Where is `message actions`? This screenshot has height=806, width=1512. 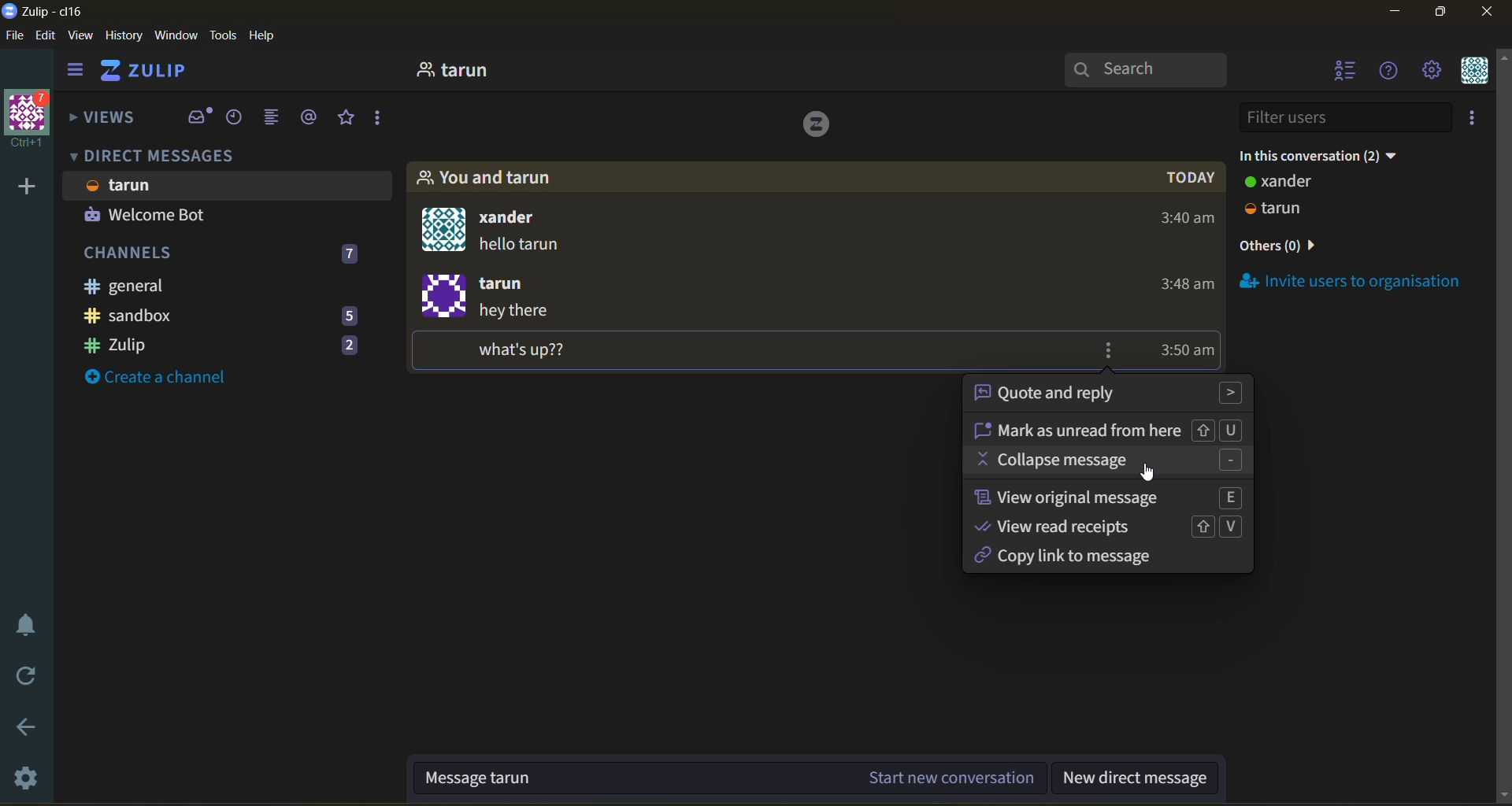
message actions is located at coordinates (1113, 349).